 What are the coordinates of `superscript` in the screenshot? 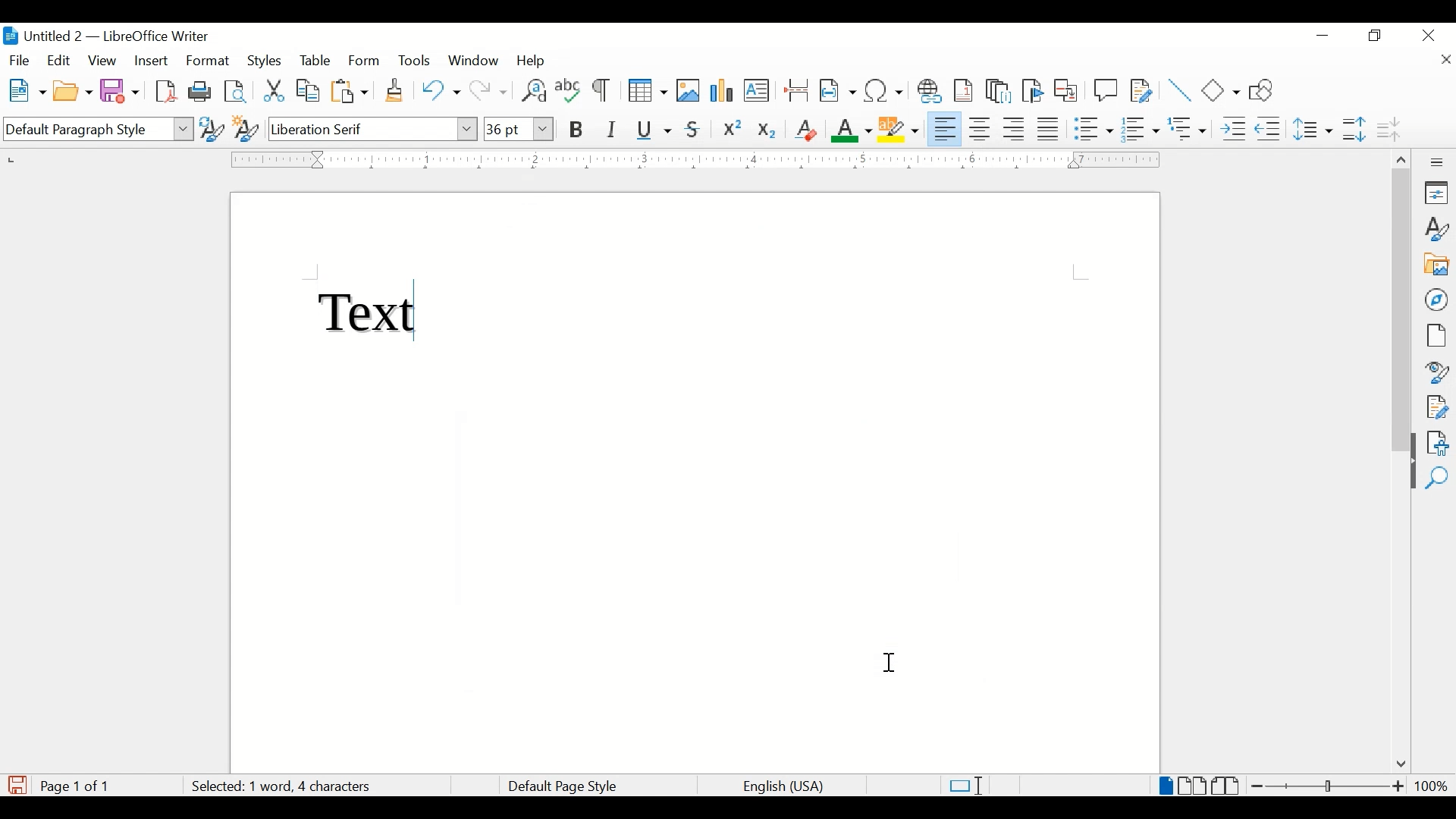 It's located at (733, 130).